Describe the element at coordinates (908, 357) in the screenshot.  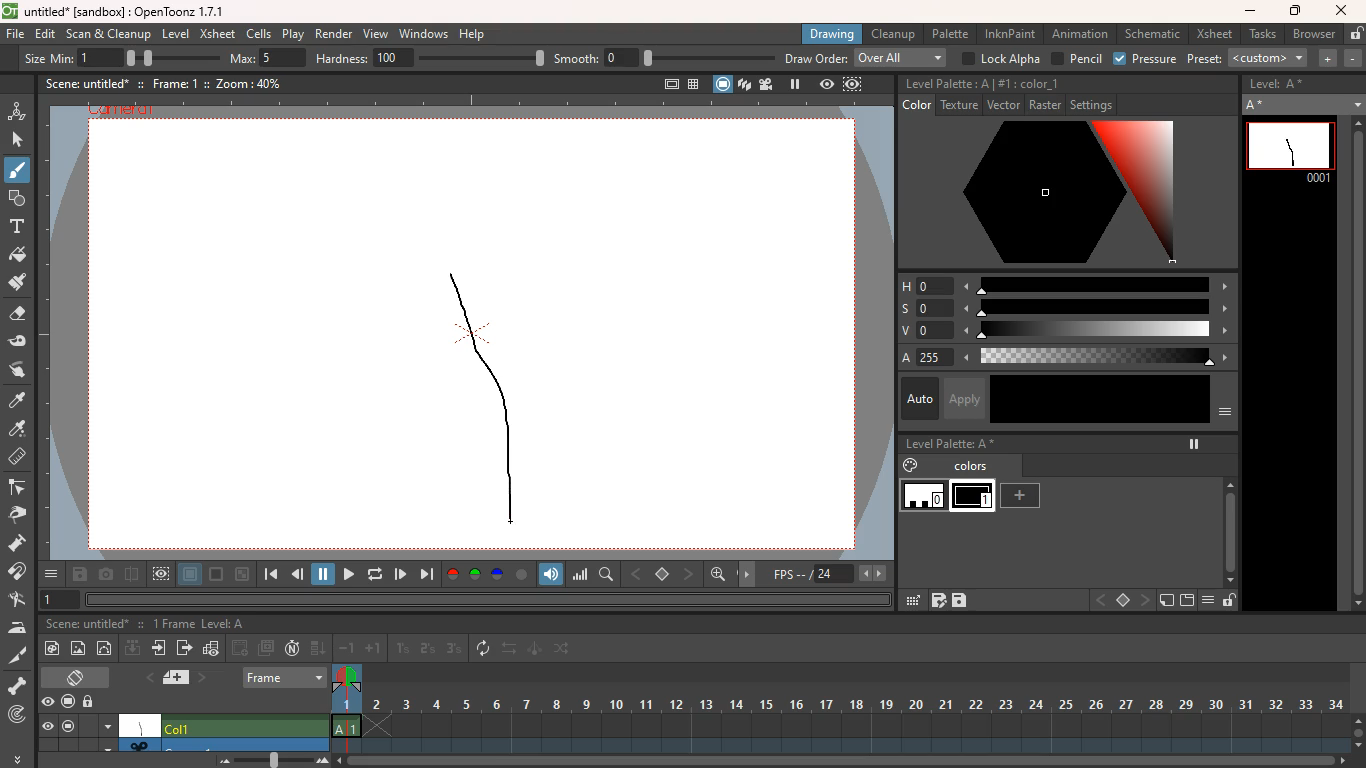
I see `a` at that location.